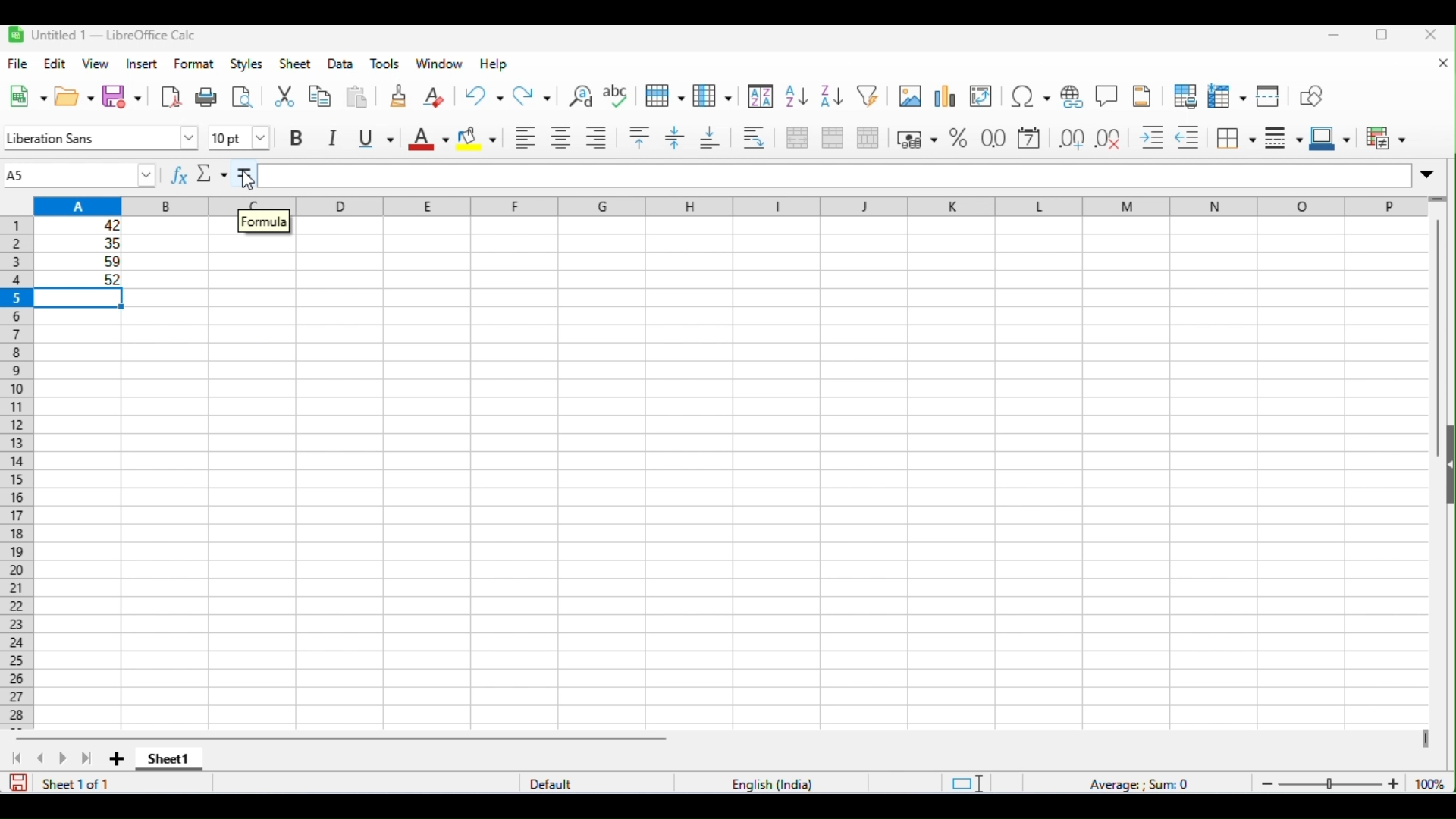 Image resolution: width=1456 pixels, height=819 pixels. What do you see at coordinates (1106, 96) in the screenshot?
I see `insert comments` at bounding box center [1106, 96].